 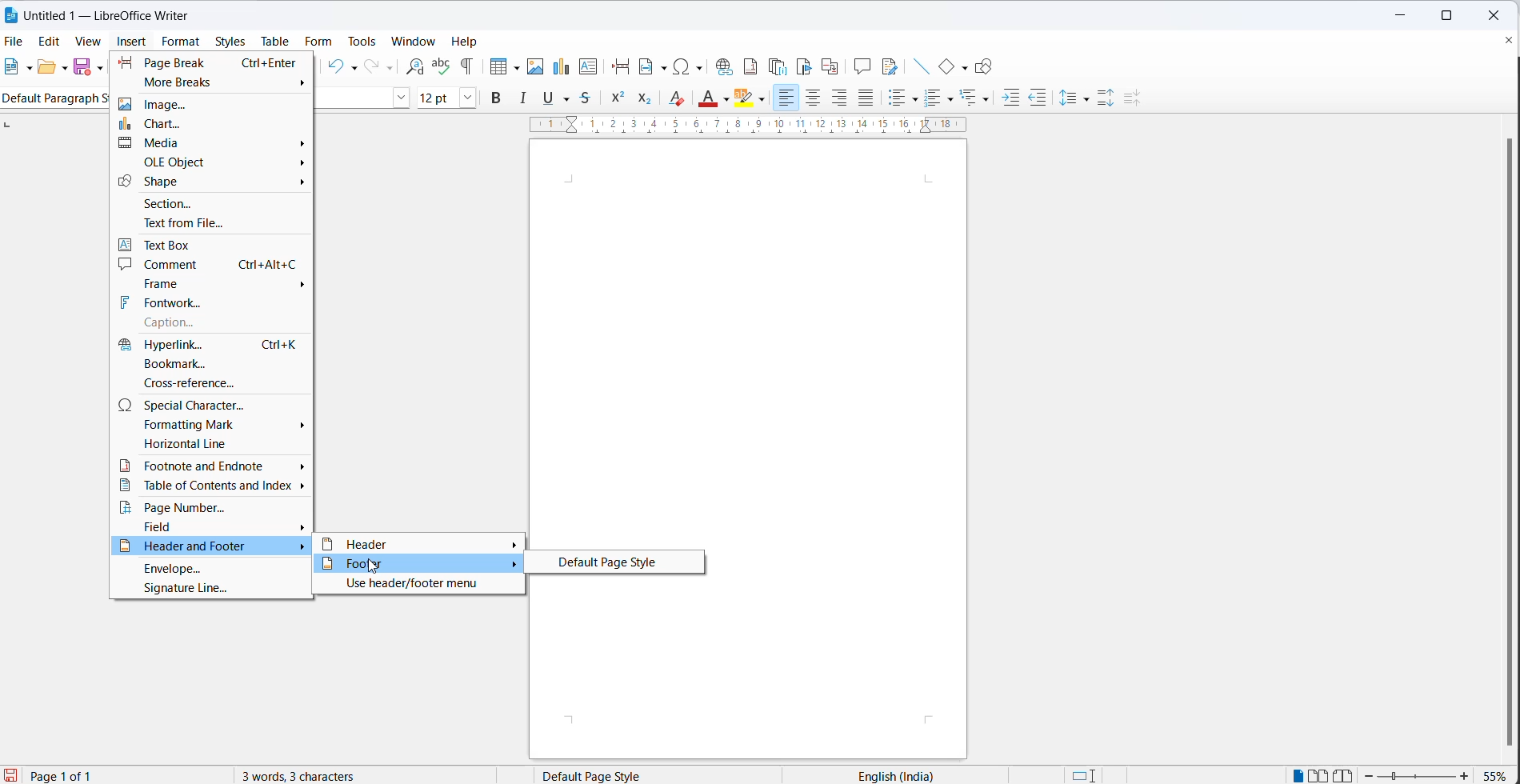 I want to click on help , so click(x=469, y=42).